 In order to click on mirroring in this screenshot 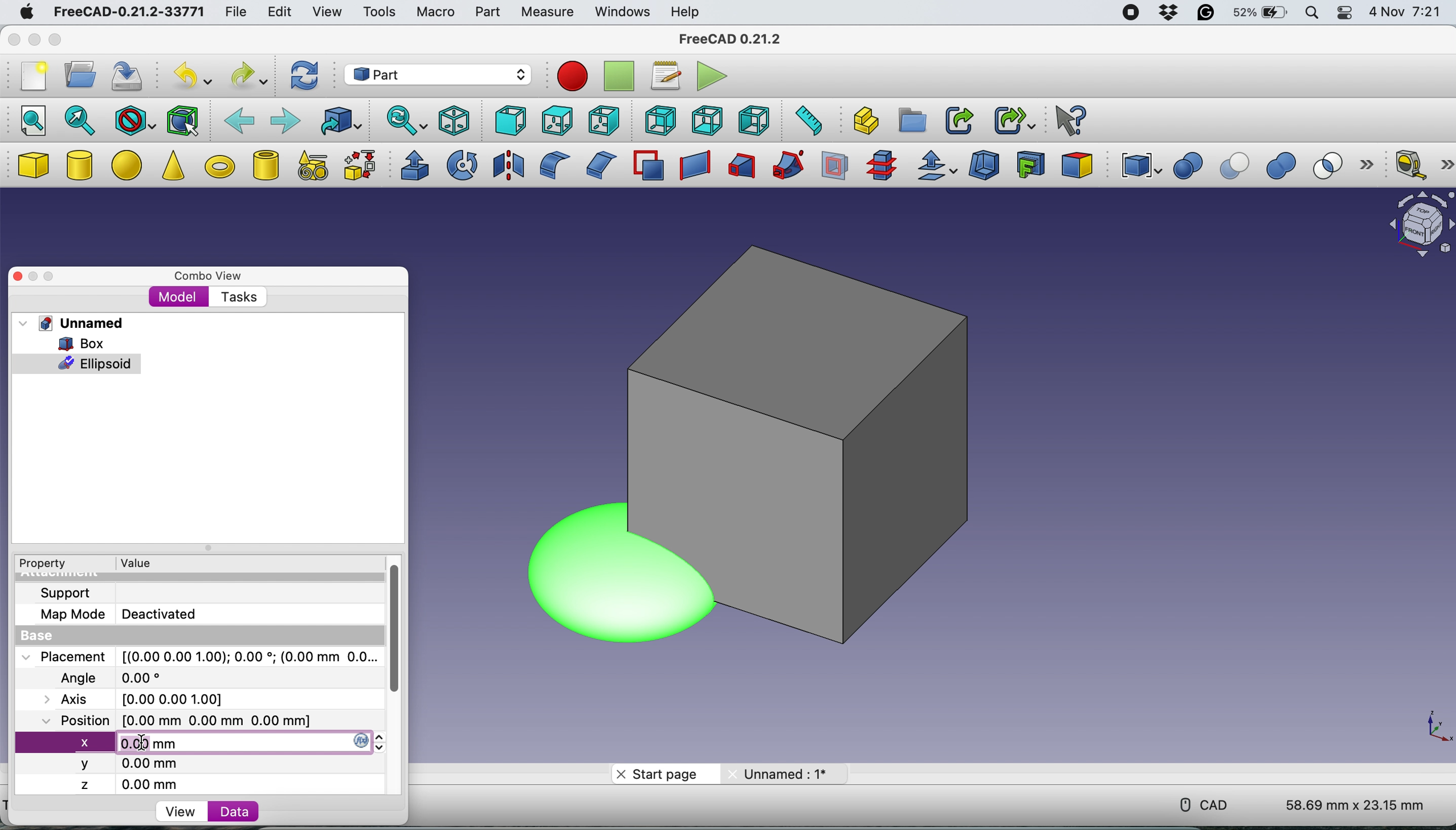, I will do `click(509, 164)`.